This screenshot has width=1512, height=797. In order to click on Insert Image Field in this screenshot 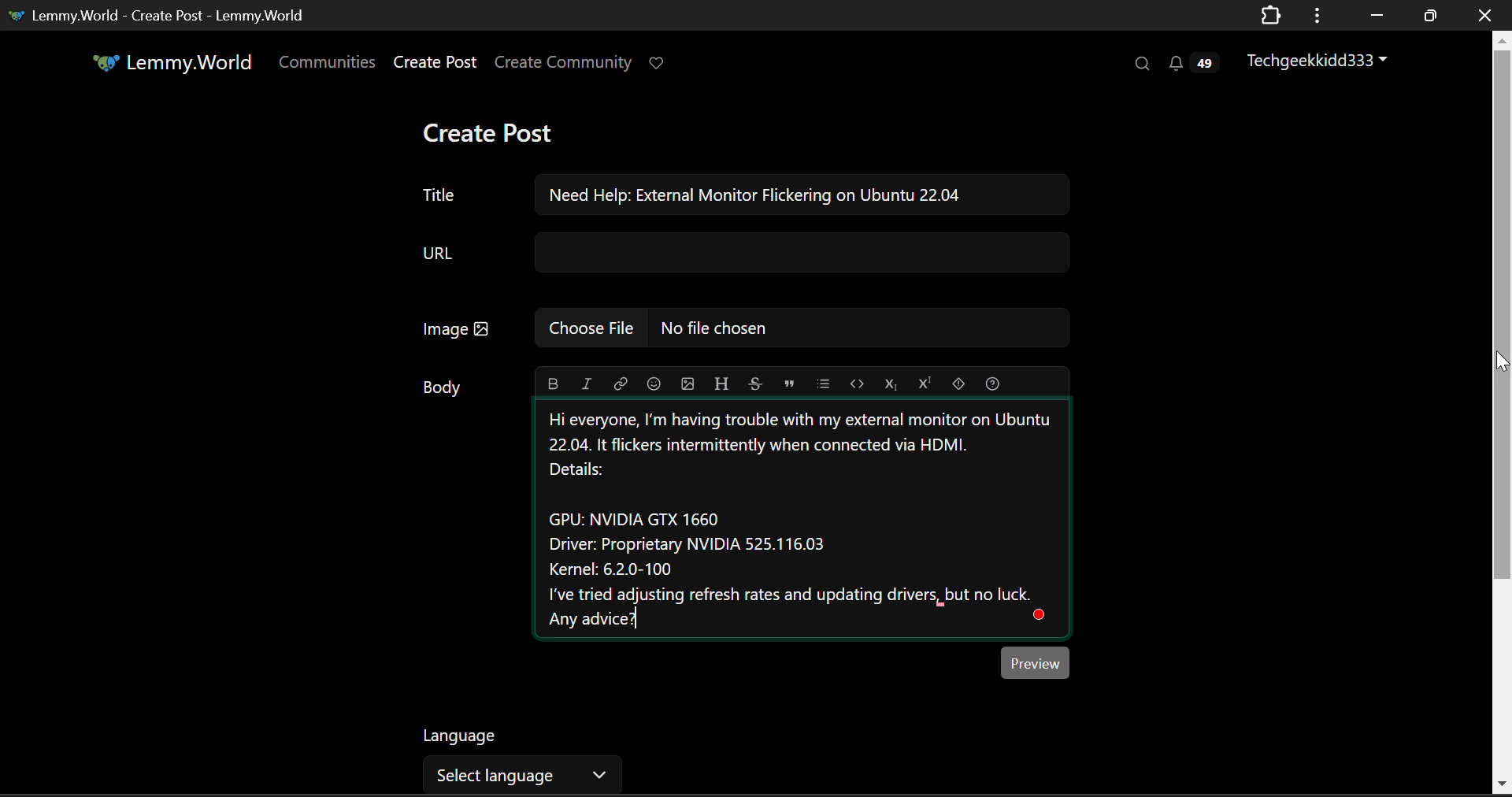, I will do `click(736, 330)`.